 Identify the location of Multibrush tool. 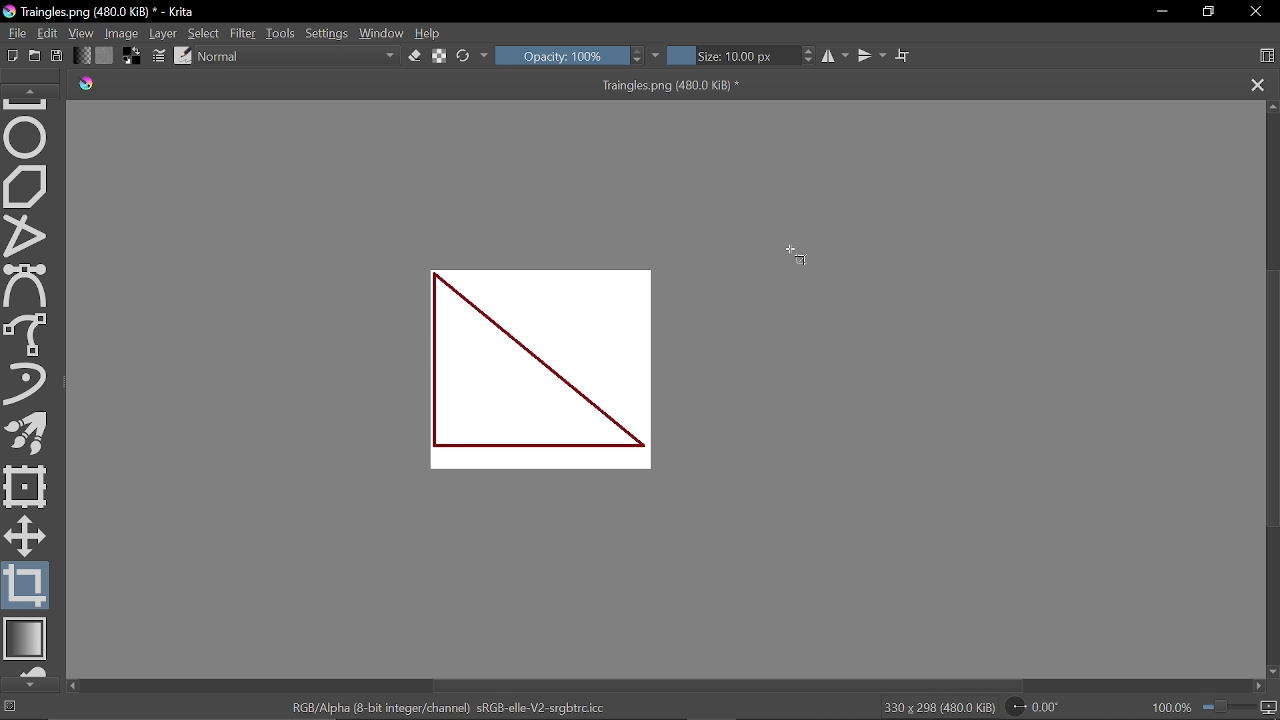
(30, 436).